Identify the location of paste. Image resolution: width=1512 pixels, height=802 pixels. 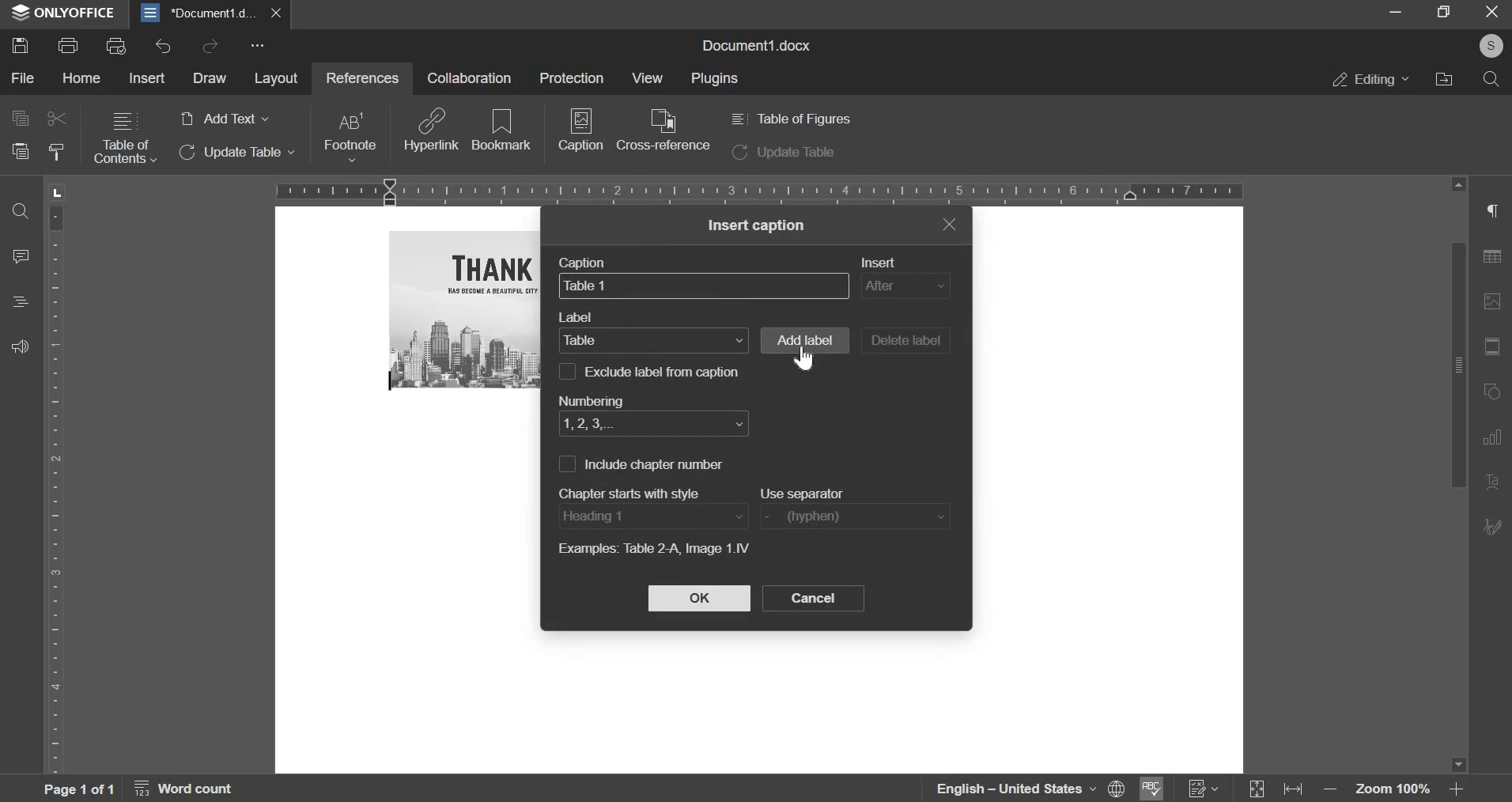
(19, 151).